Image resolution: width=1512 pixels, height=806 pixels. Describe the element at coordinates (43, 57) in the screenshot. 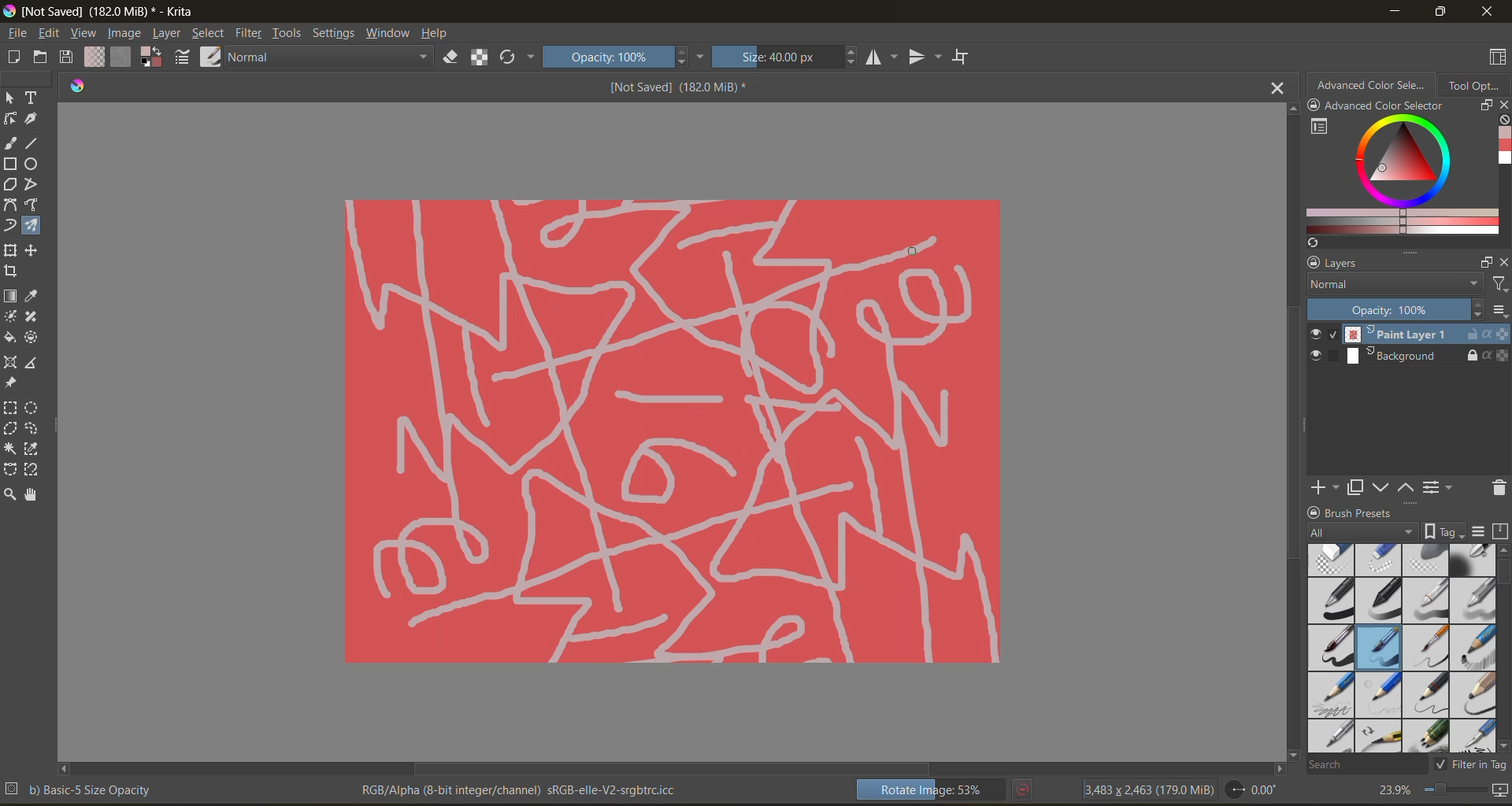

I see `open` at that location.